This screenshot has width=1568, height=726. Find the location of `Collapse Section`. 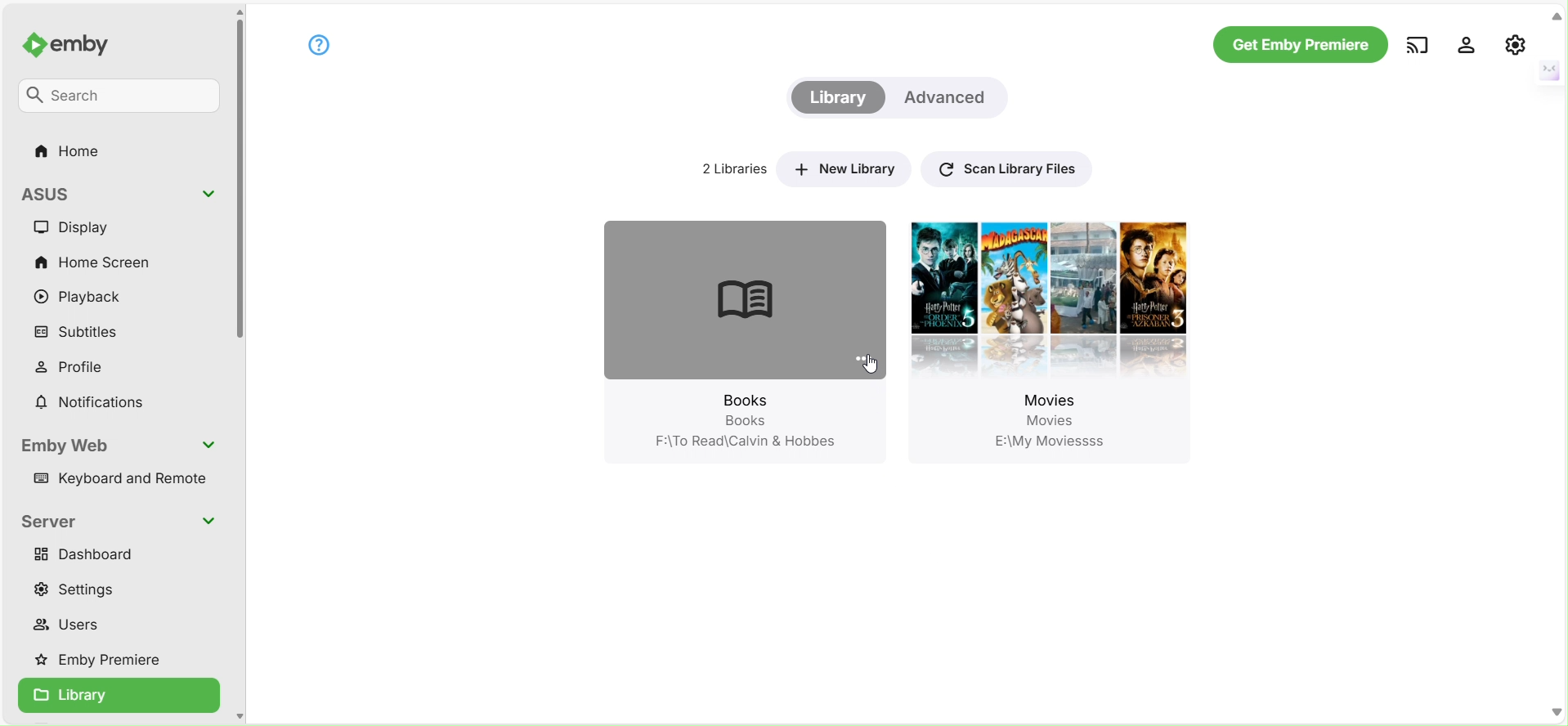

Collapse Section is located at coordinates (208, 195).